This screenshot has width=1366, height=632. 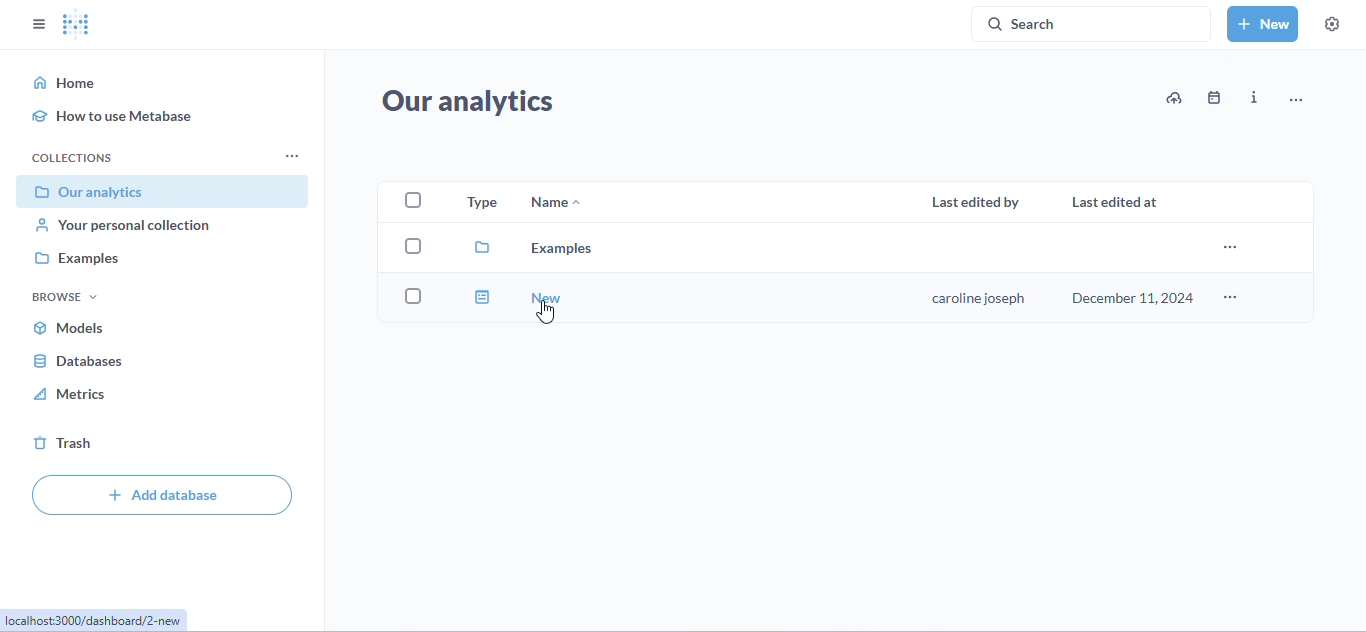 What do you see at coordinates (1132, 298) in the screenshot?
I see `december 11, 2024` at bounding box center [1132, 298].